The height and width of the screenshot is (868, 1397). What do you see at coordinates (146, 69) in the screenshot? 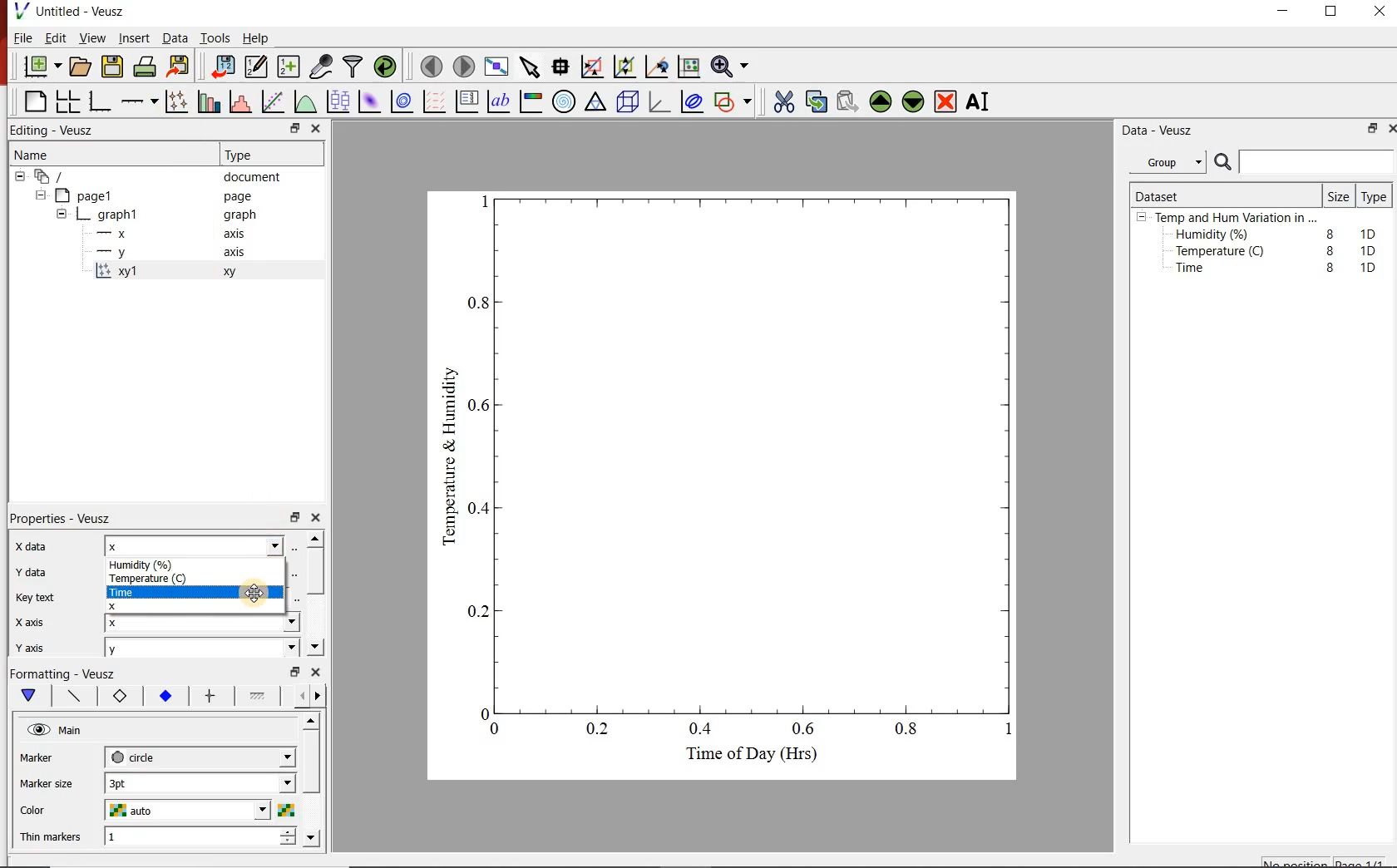
I see `print the document` at bounding box center [146, 69].